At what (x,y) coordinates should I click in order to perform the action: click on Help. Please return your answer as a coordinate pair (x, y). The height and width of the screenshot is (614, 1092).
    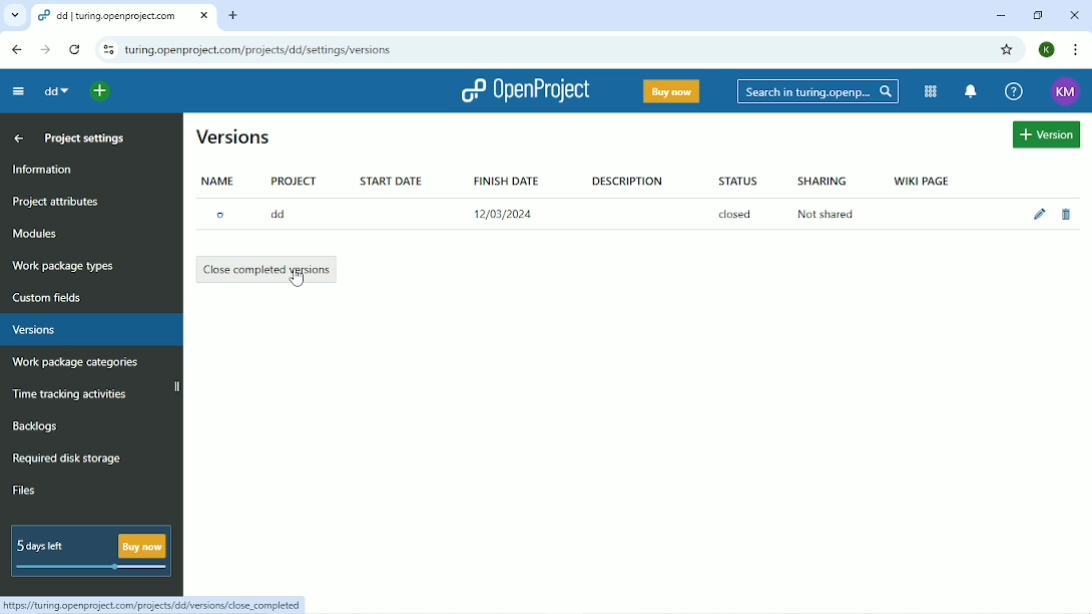
    Looking at the image, I should click on (1013, 92).